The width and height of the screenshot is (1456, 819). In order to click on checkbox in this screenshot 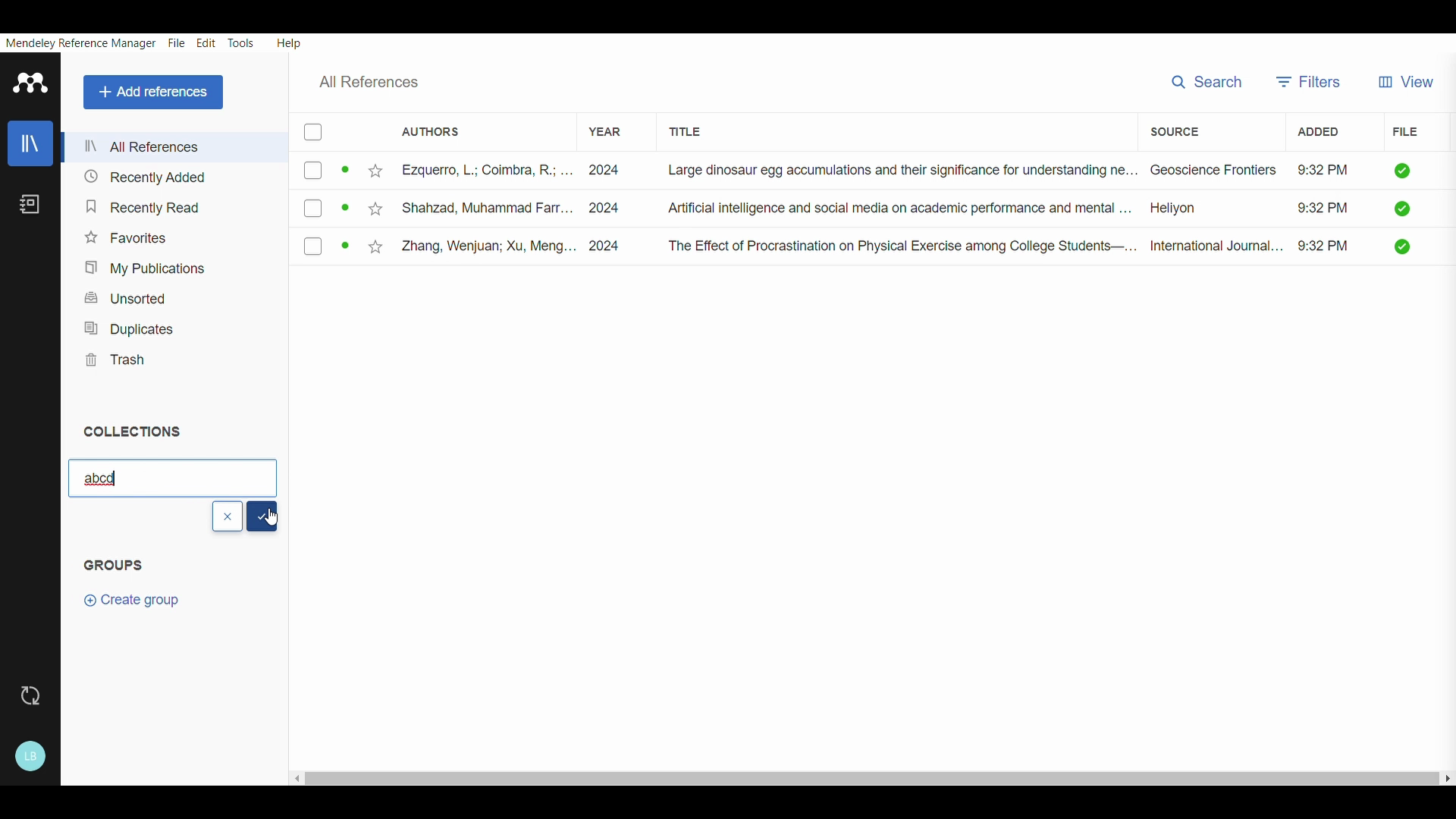, I will do `click(313, 132)`.